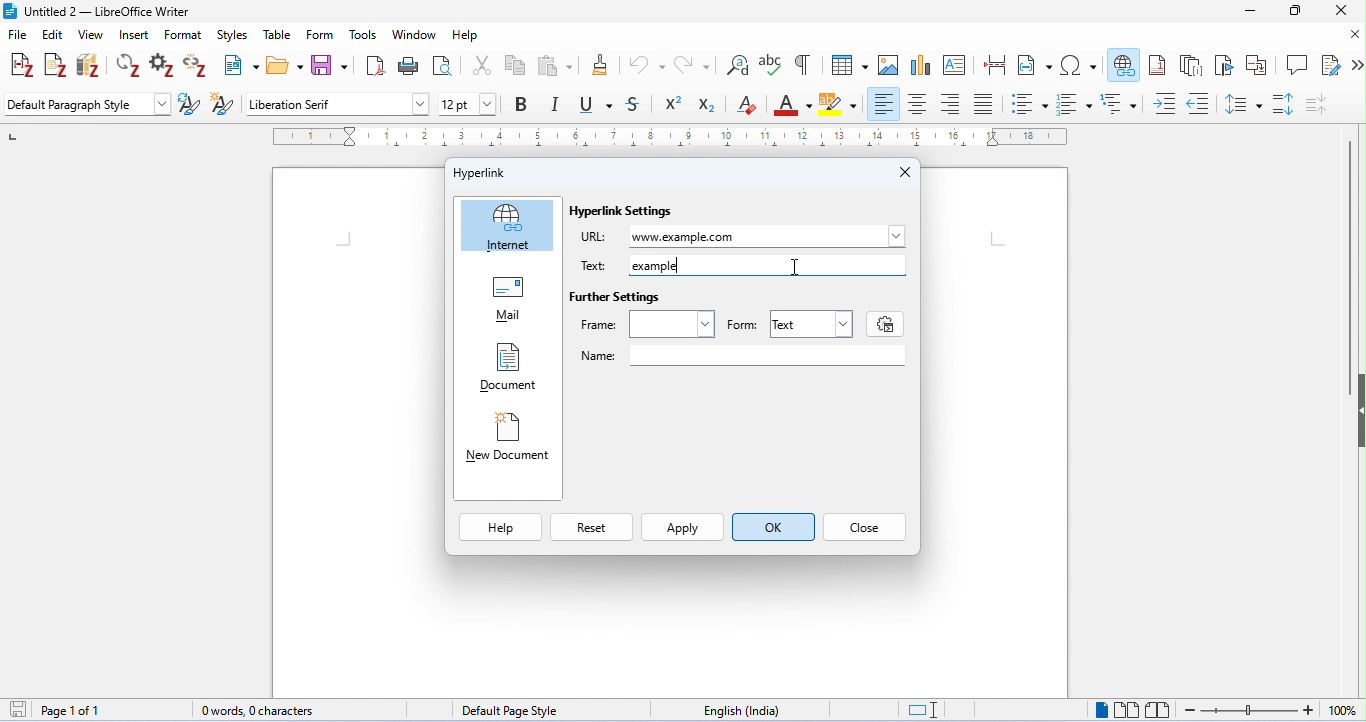 This screenshot has width=1366, height=722. Describe the element at coordinates (625, 209) in the screenshot. I see `Hyperlink Settings` at that location.